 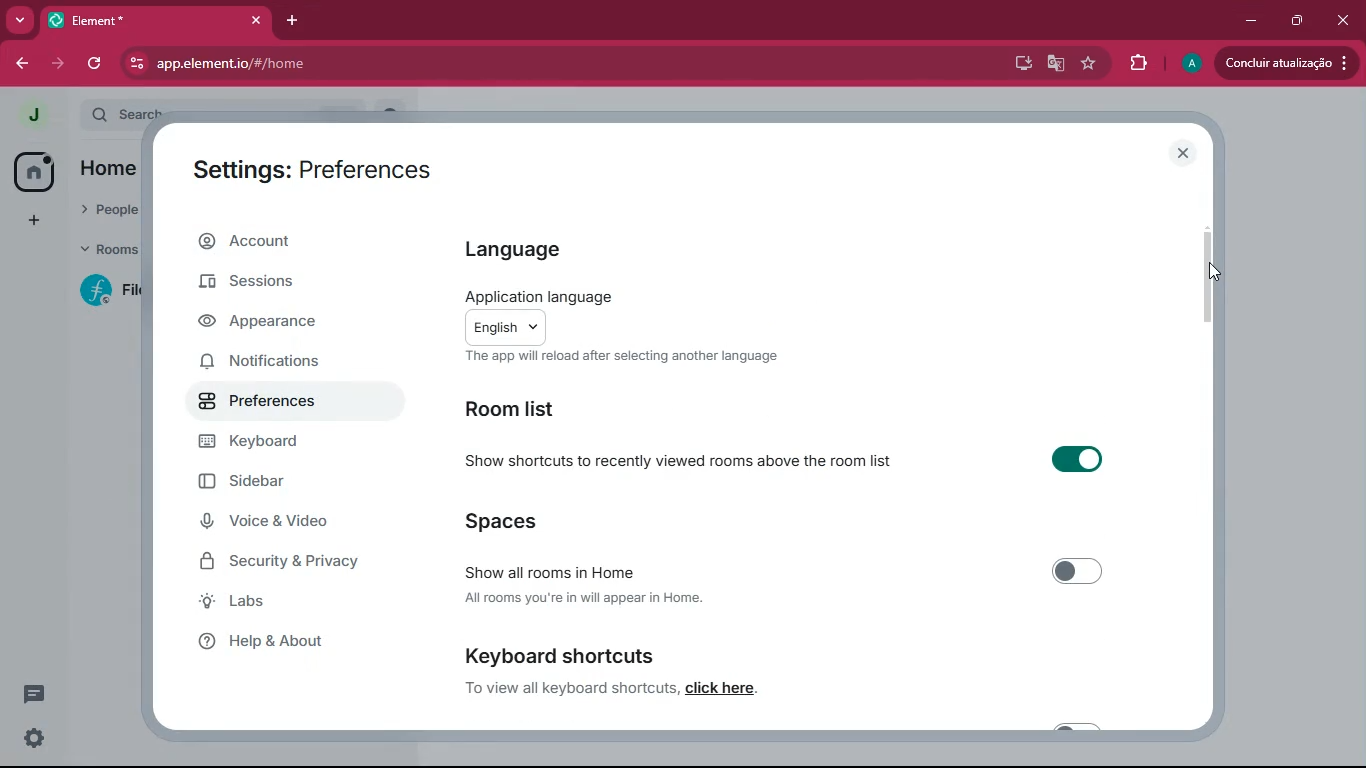 I want to click on preferences, so click(x=283, y=403).